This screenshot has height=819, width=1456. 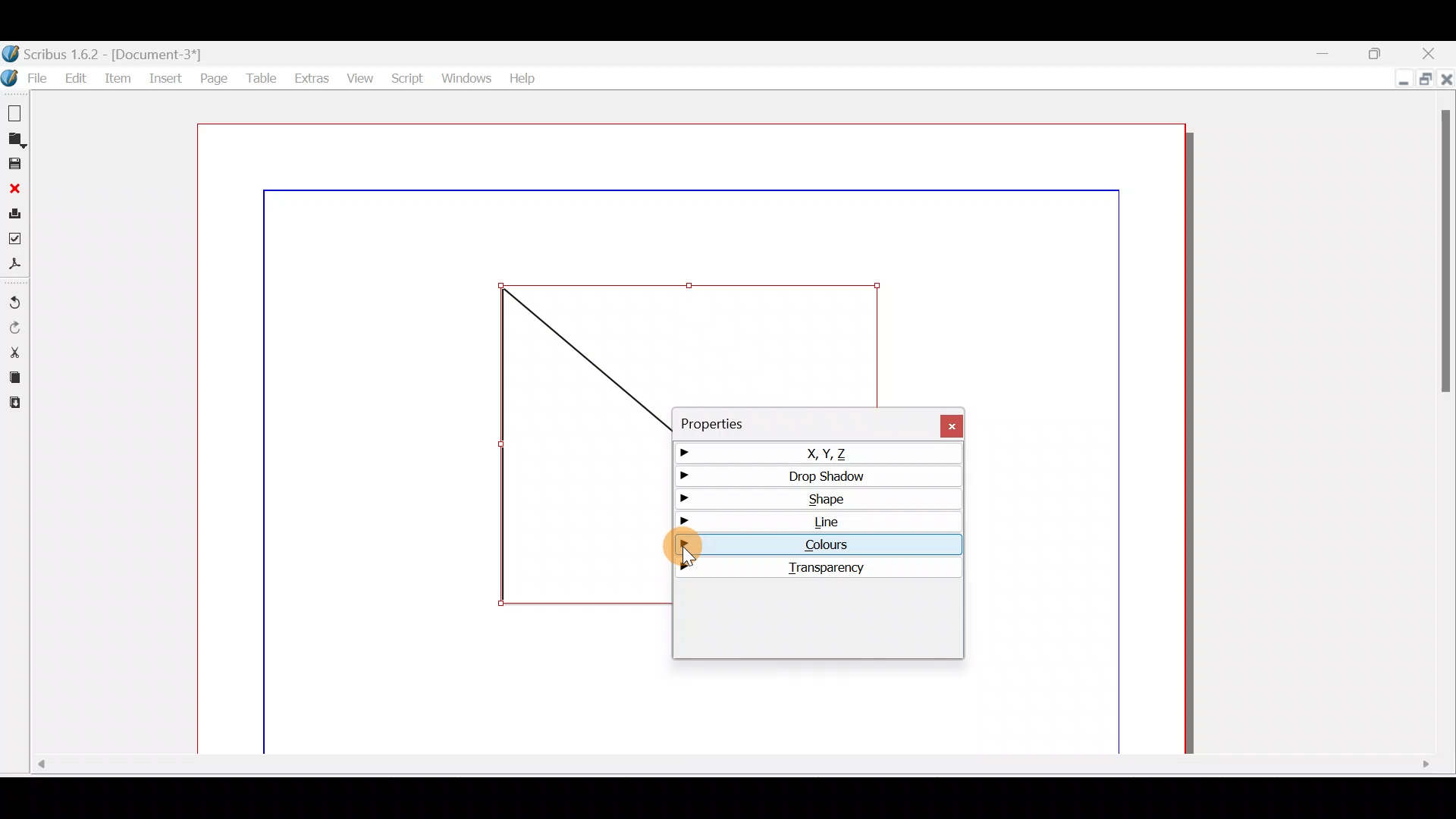 I want to click on Shape frame, so click(x=580, y=447).